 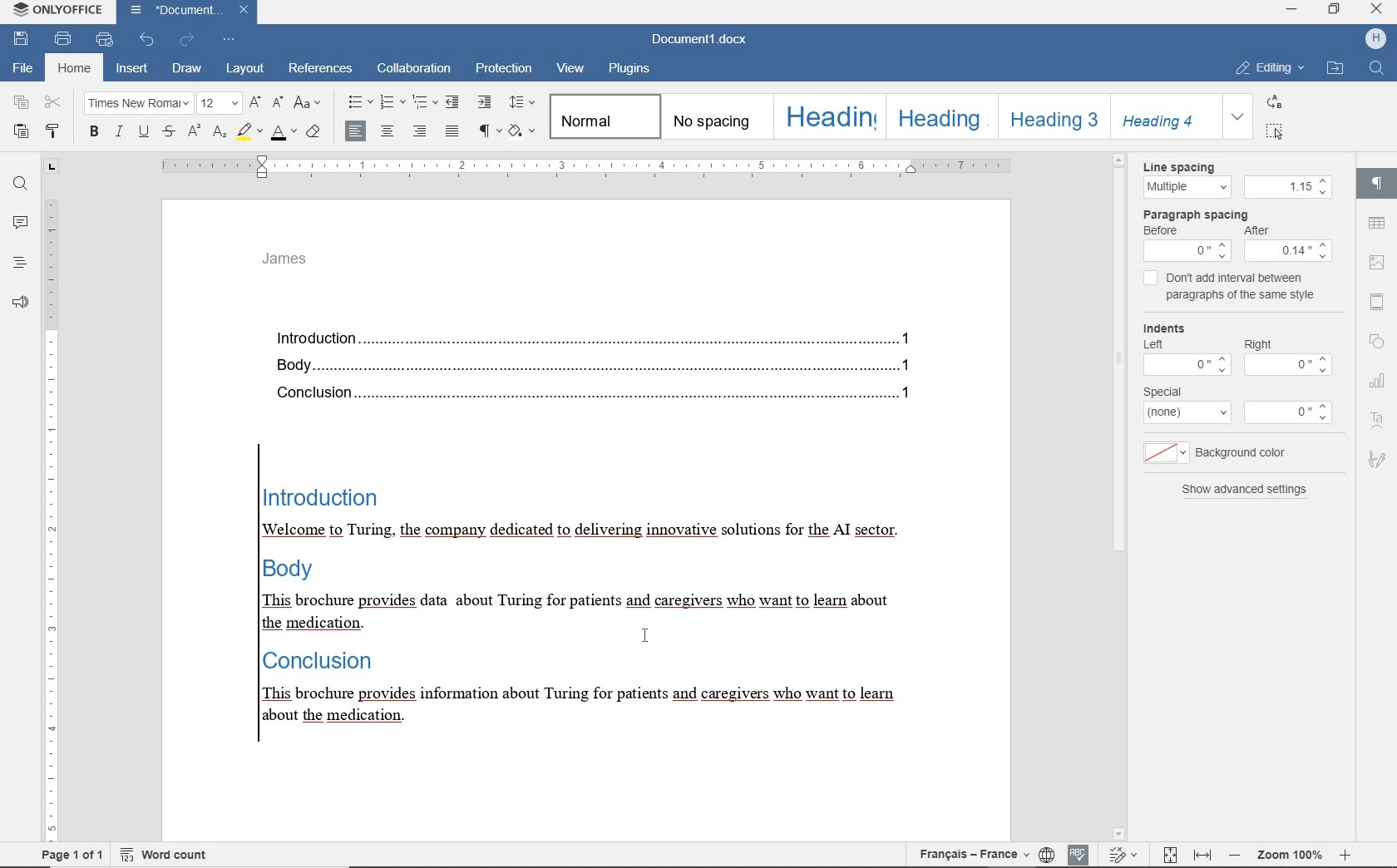 What do you see at coordinates (187, 39) in the screenshot?
I see `redo` at bounding box center [187, 39].